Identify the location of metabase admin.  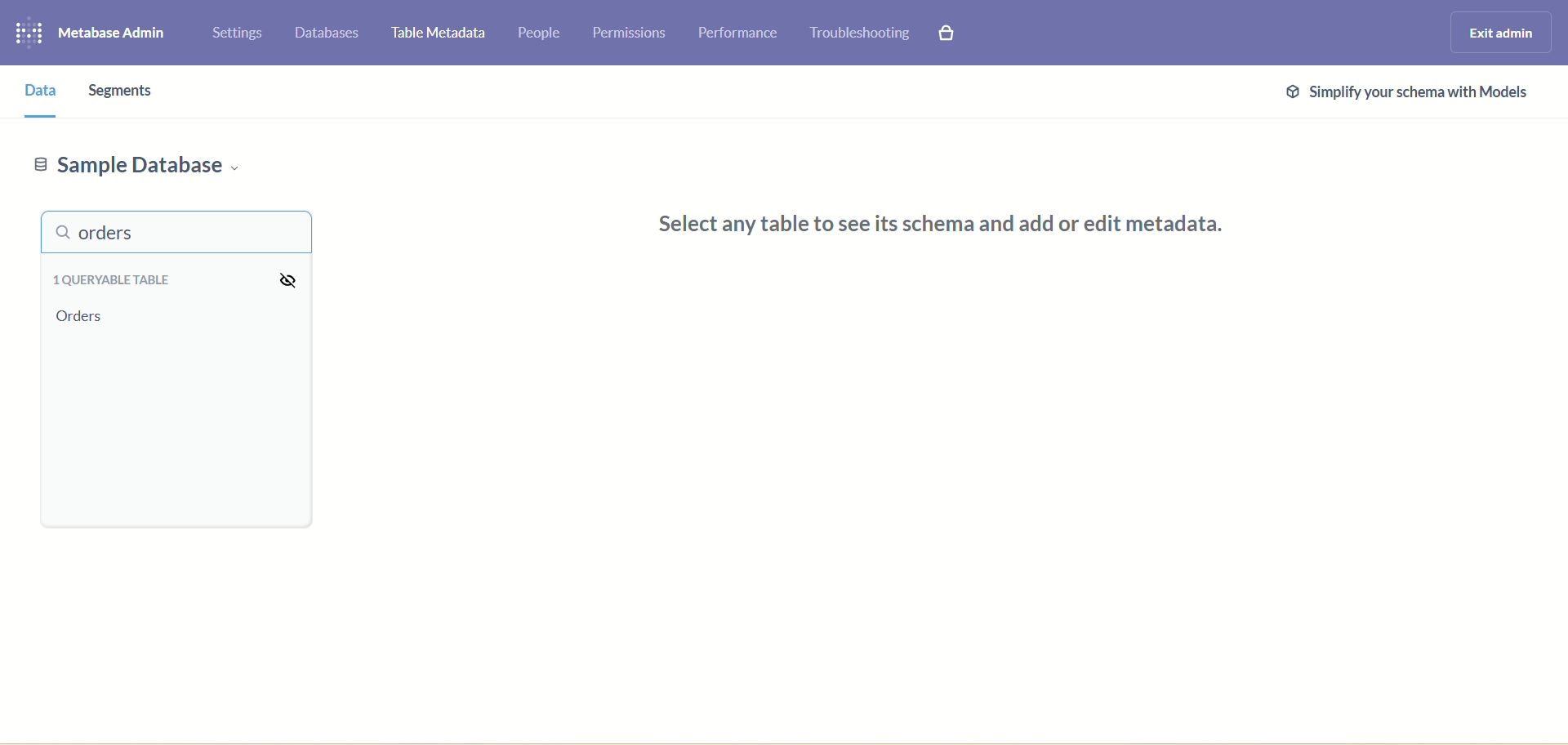
(114, 33).